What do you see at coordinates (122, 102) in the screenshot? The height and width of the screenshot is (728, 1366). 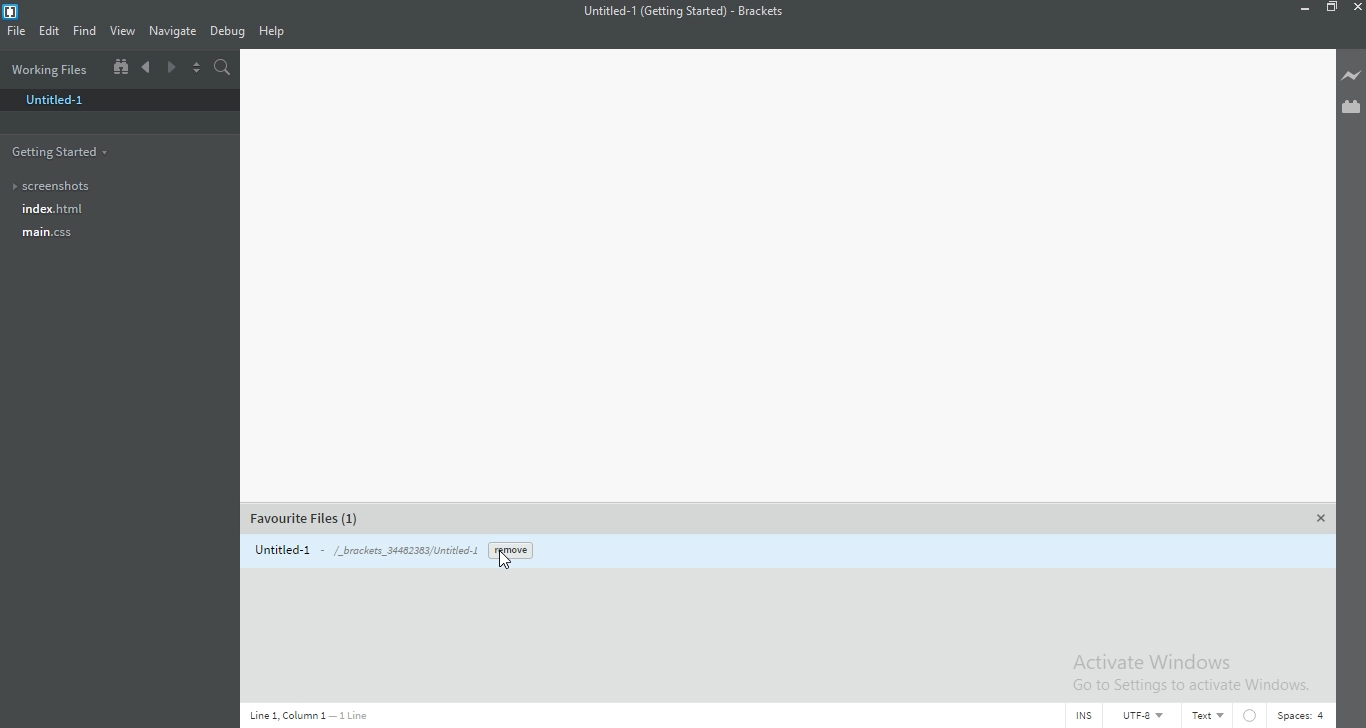 I see `untitled` at bounding box center [122, 102].